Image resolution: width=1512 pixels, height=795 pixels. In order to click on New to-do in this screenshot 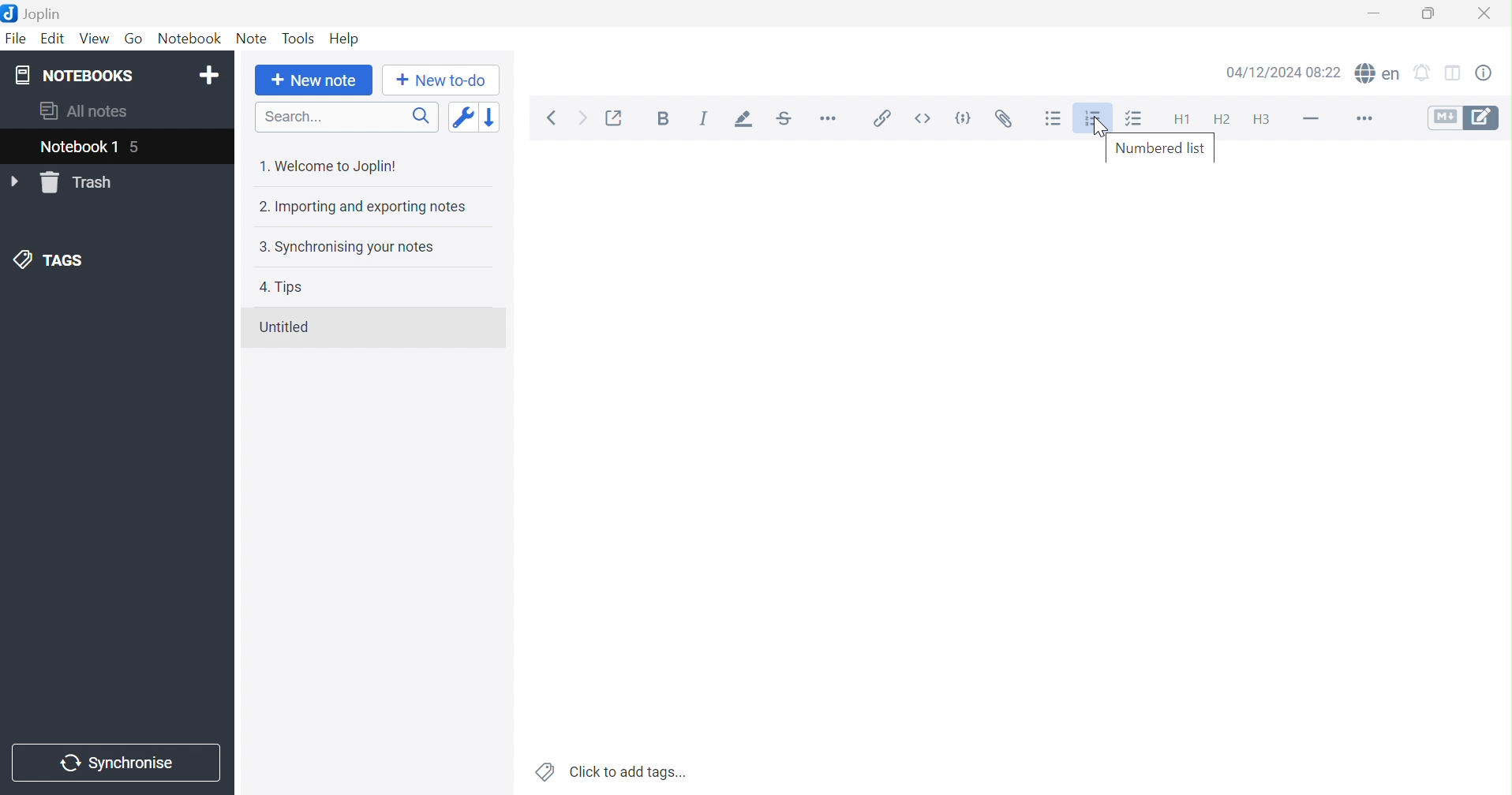, I will do `click(439, 80)`.